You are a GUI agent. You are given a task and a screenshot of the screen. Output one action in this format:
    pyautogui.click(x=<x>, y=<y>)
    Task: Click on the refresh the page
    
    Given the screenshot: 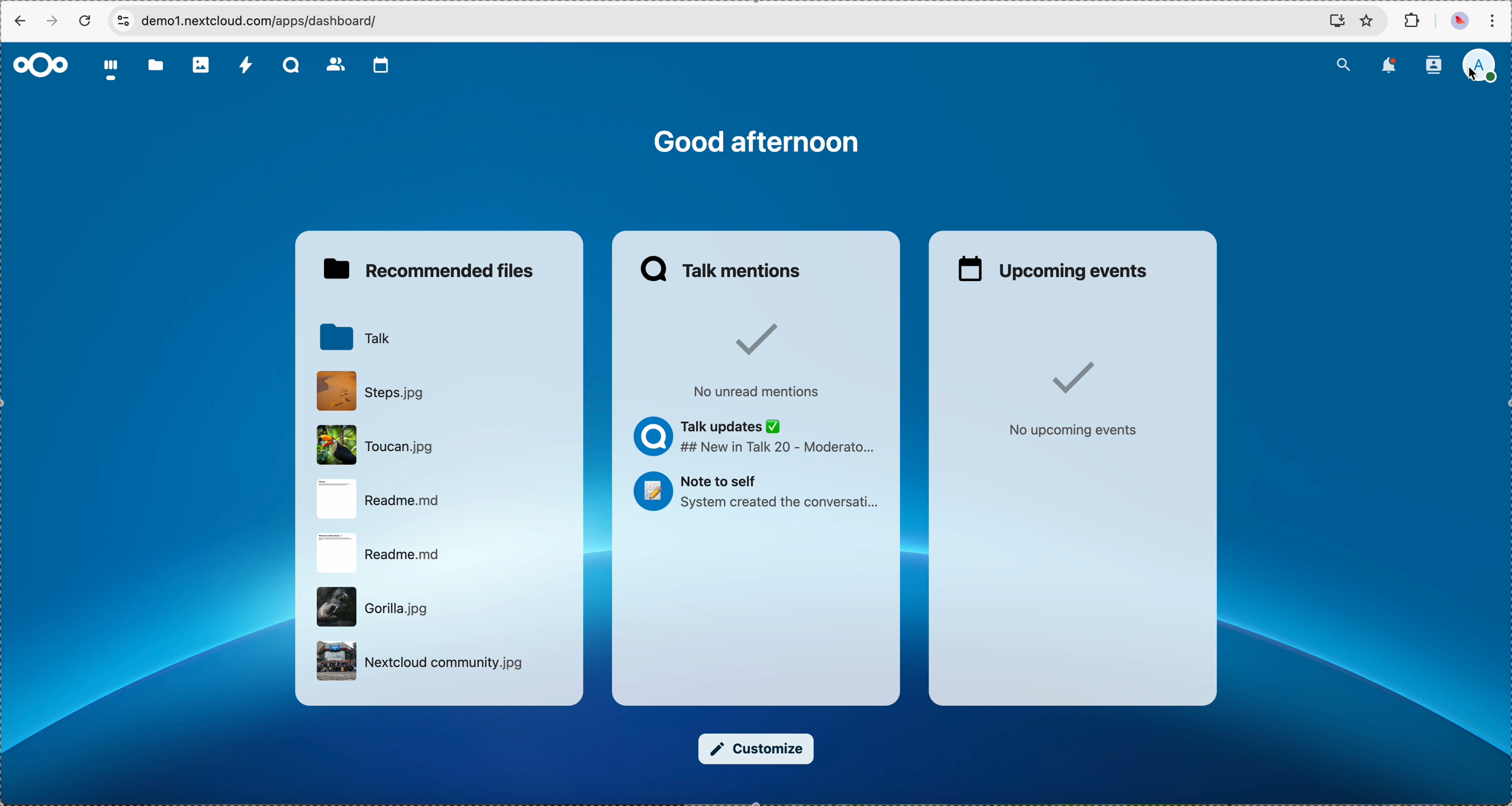 What is the action you would take?
    pyautogui.click(x=86, y=21)
    